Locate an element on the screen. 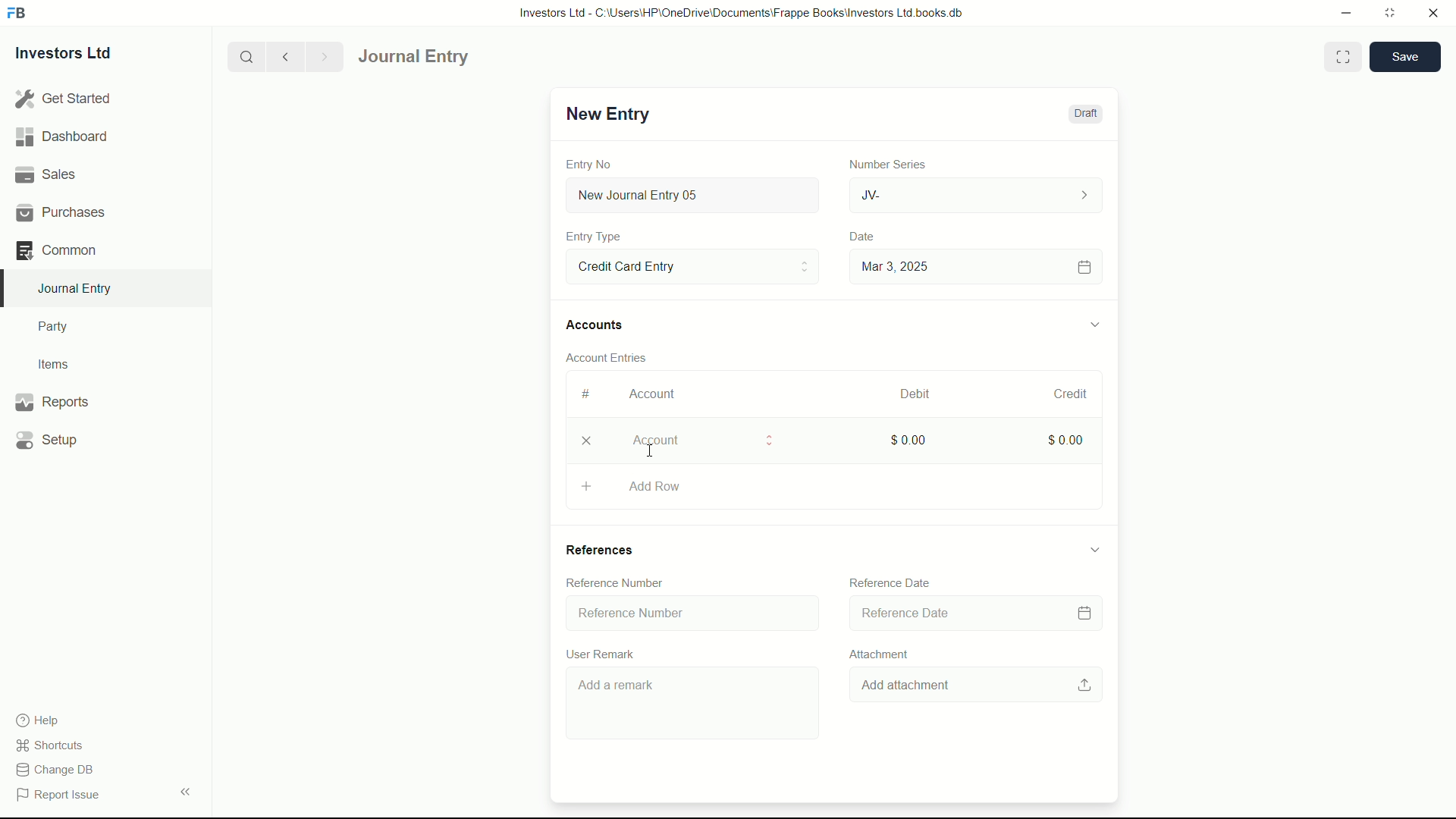 The image size is (1456, 819). Reference Date is located at coordinates (890, 582).